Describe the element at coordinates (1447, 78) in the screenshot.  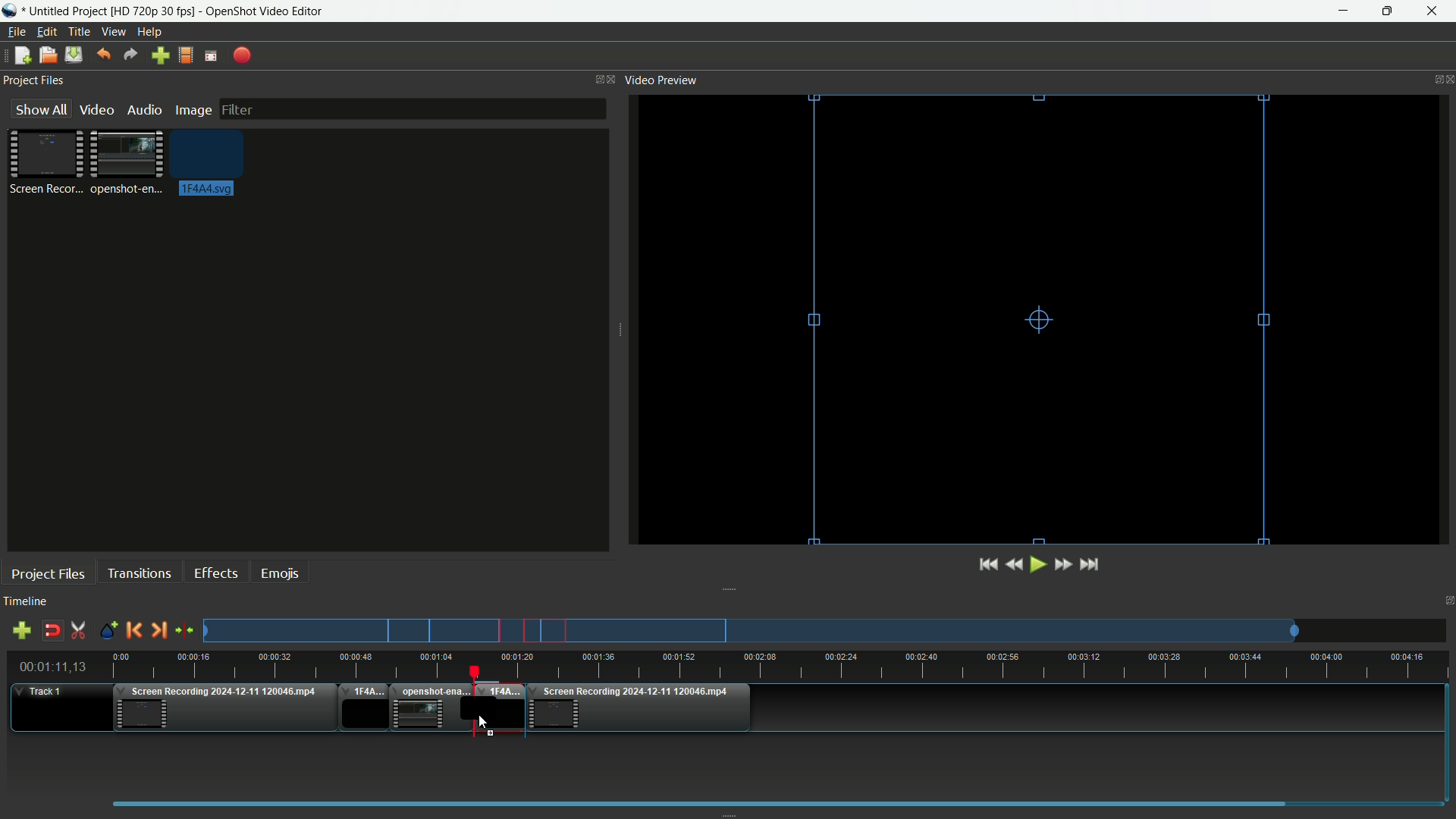
I see `close video preview` at that location.